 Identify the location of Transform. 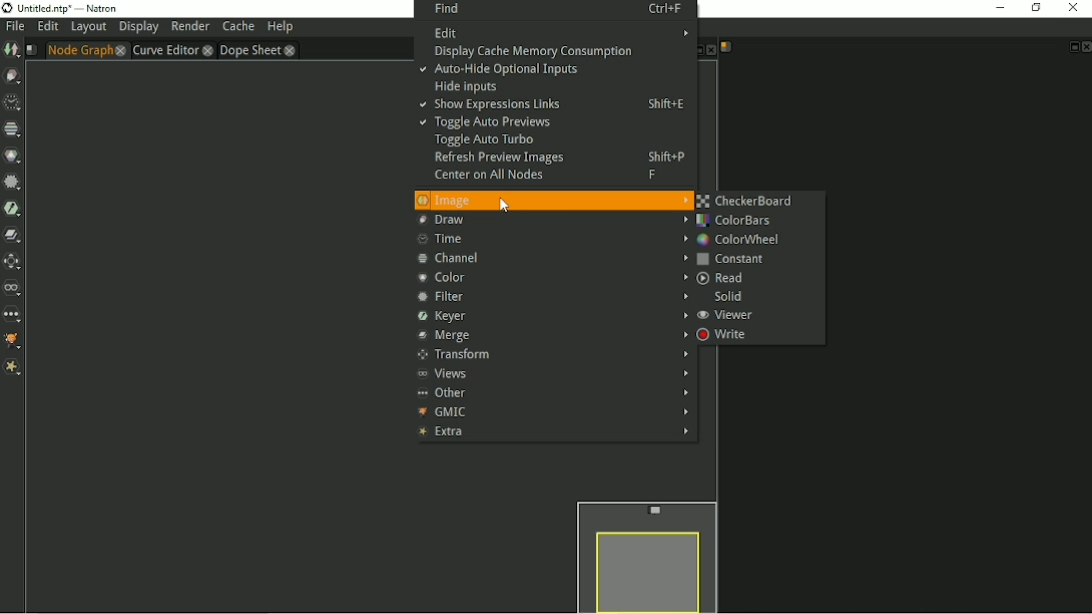
(13, 261).